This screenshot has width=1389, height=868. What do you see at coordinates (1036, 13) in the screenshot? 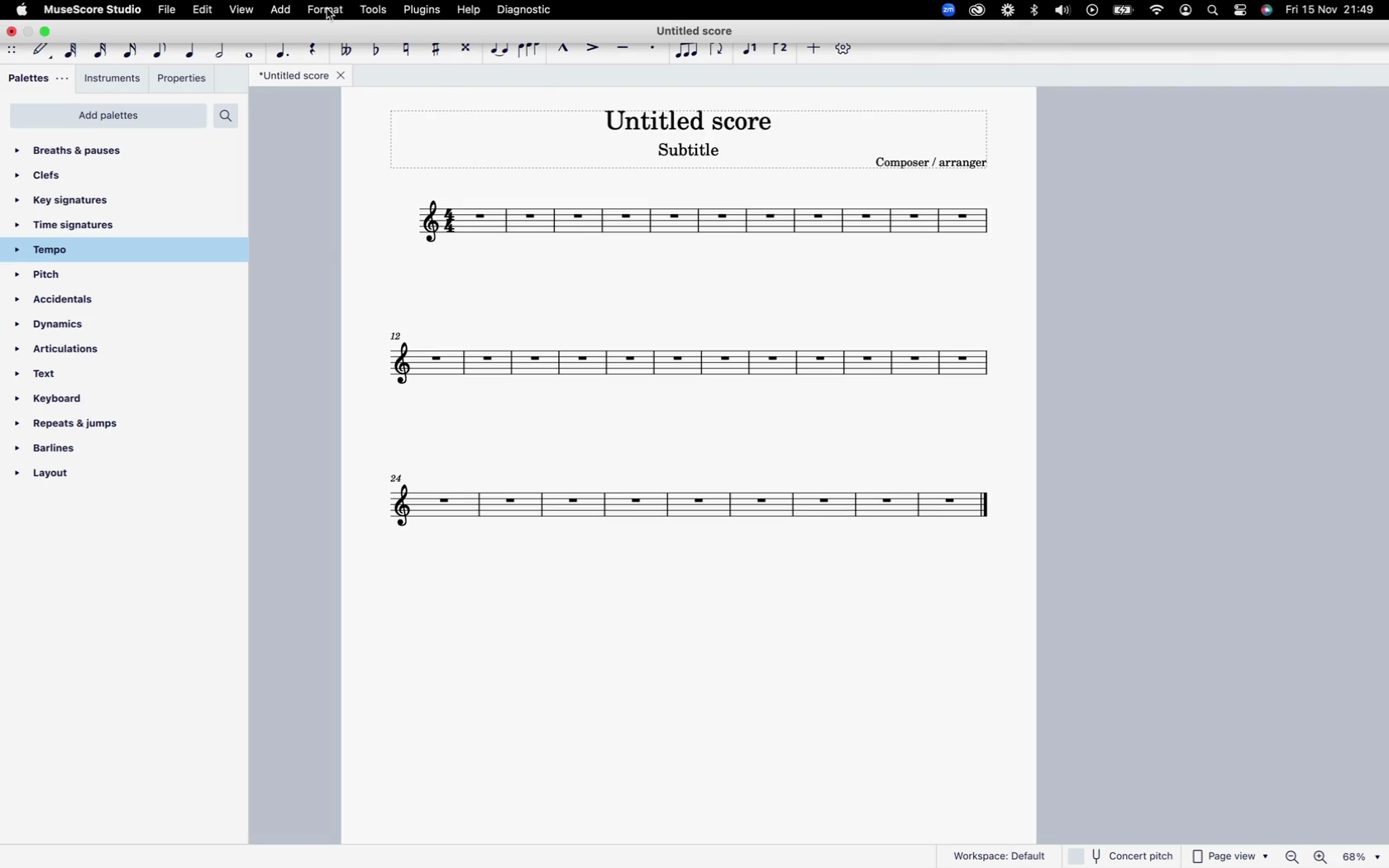
I see `bluetooth` at bounding box center [1036, 13].